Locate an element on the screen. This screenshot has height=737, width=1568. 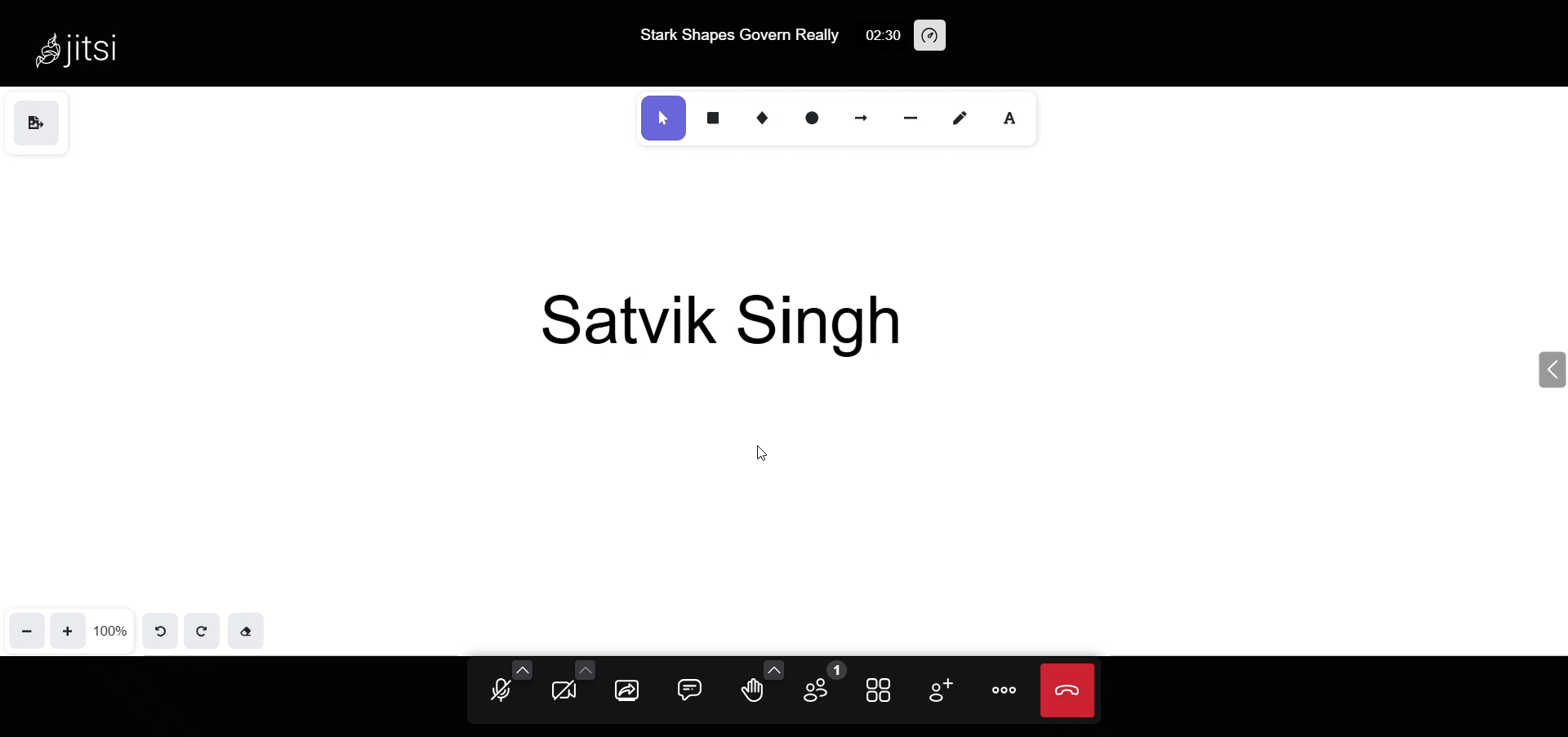
zoom out is located at coordinates (28, 629).